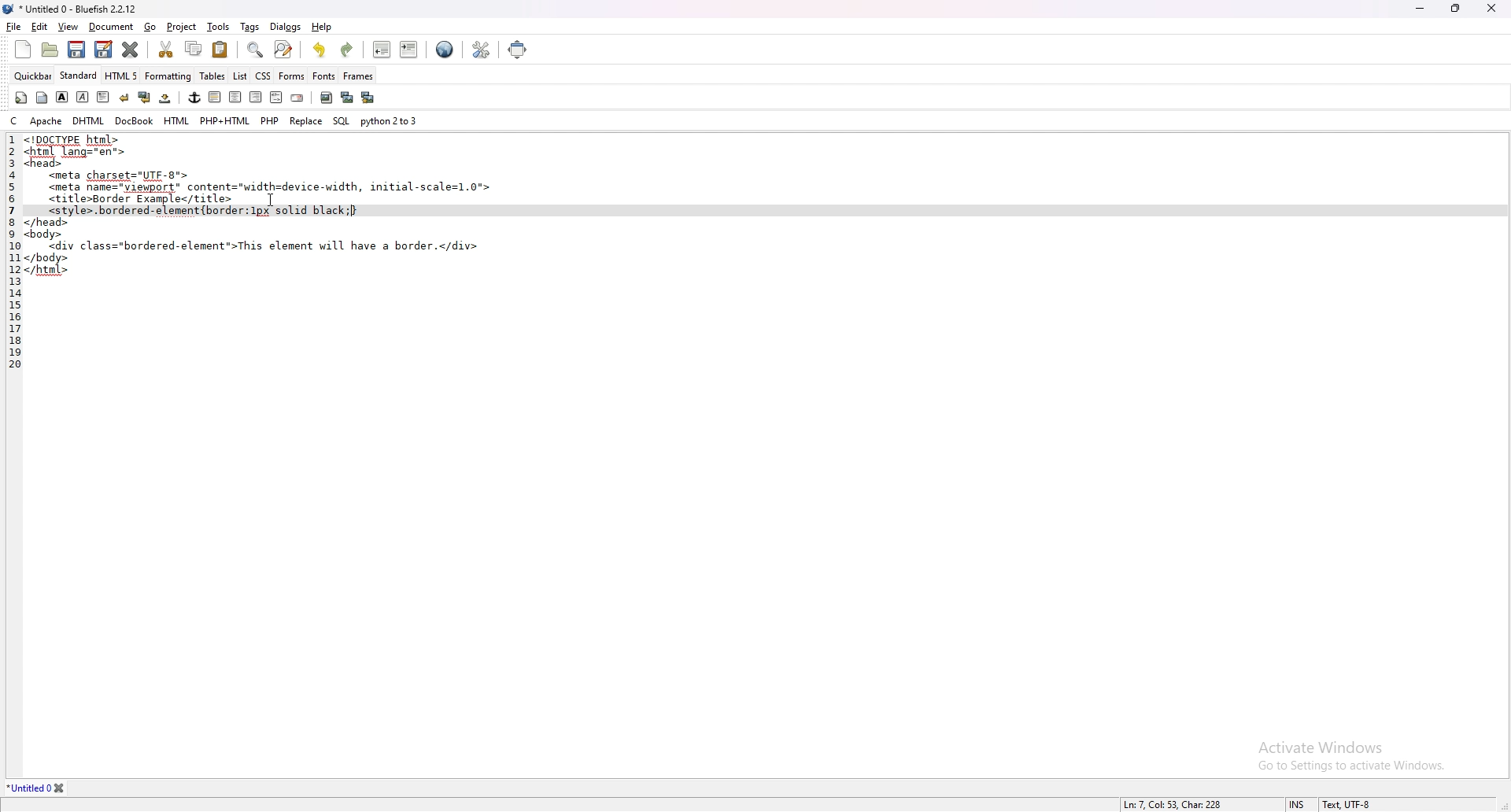 The width and height of the screenshot is (1511, 812). What do you see at coordinates (251, 28) in the screenshot?
I see `tags` at bounding box center [251, 28].